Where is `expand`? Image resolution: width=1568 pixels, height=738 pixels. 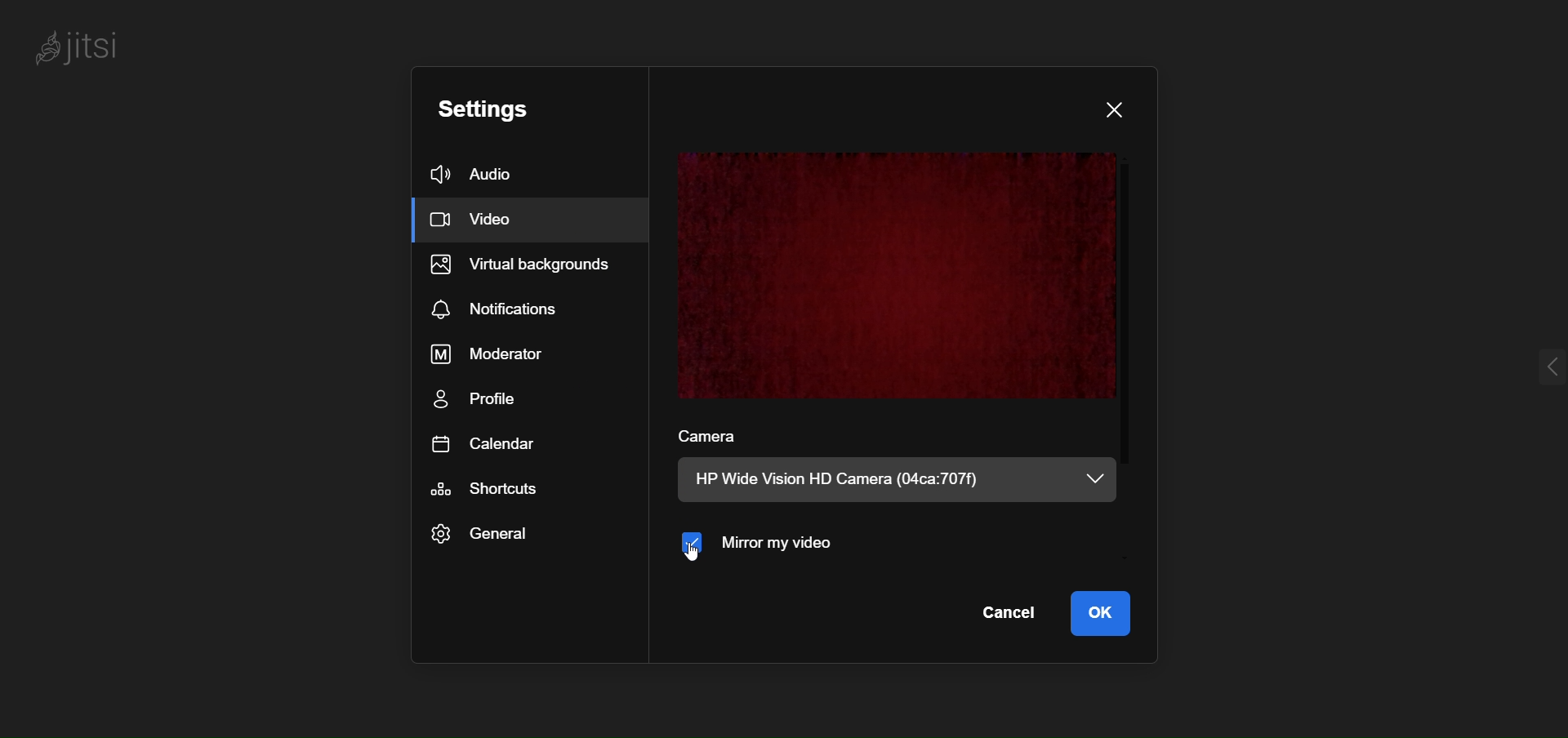 expand is located at coordinates (1539, 370).